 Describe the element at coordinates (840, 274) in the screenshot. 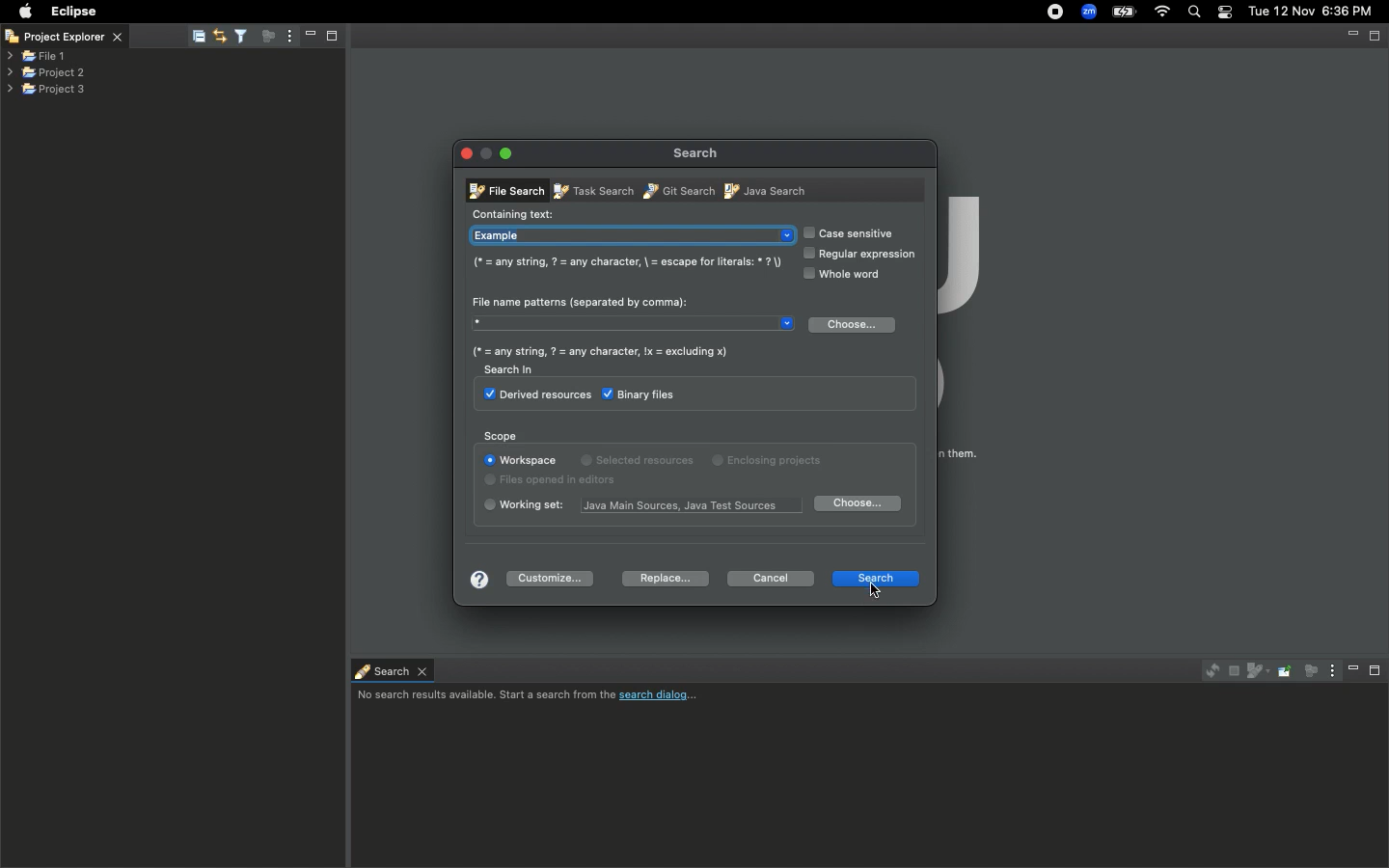

I see `Whole word` at that location.